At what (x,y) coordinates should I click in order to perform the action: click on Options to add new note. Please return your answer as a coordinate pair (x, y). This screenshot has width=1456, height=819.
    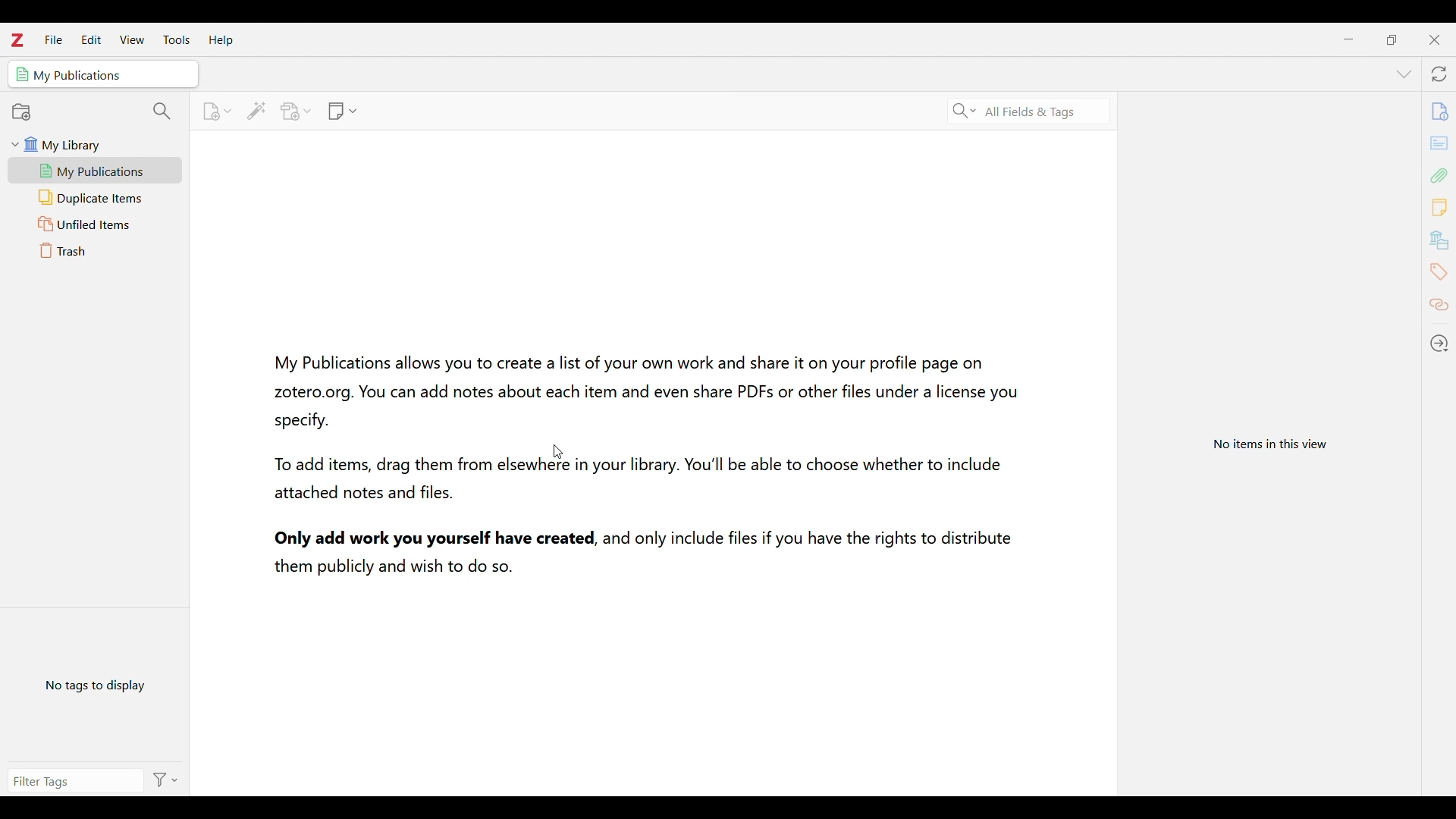
    Looking at the image, I should click on (343, 111).